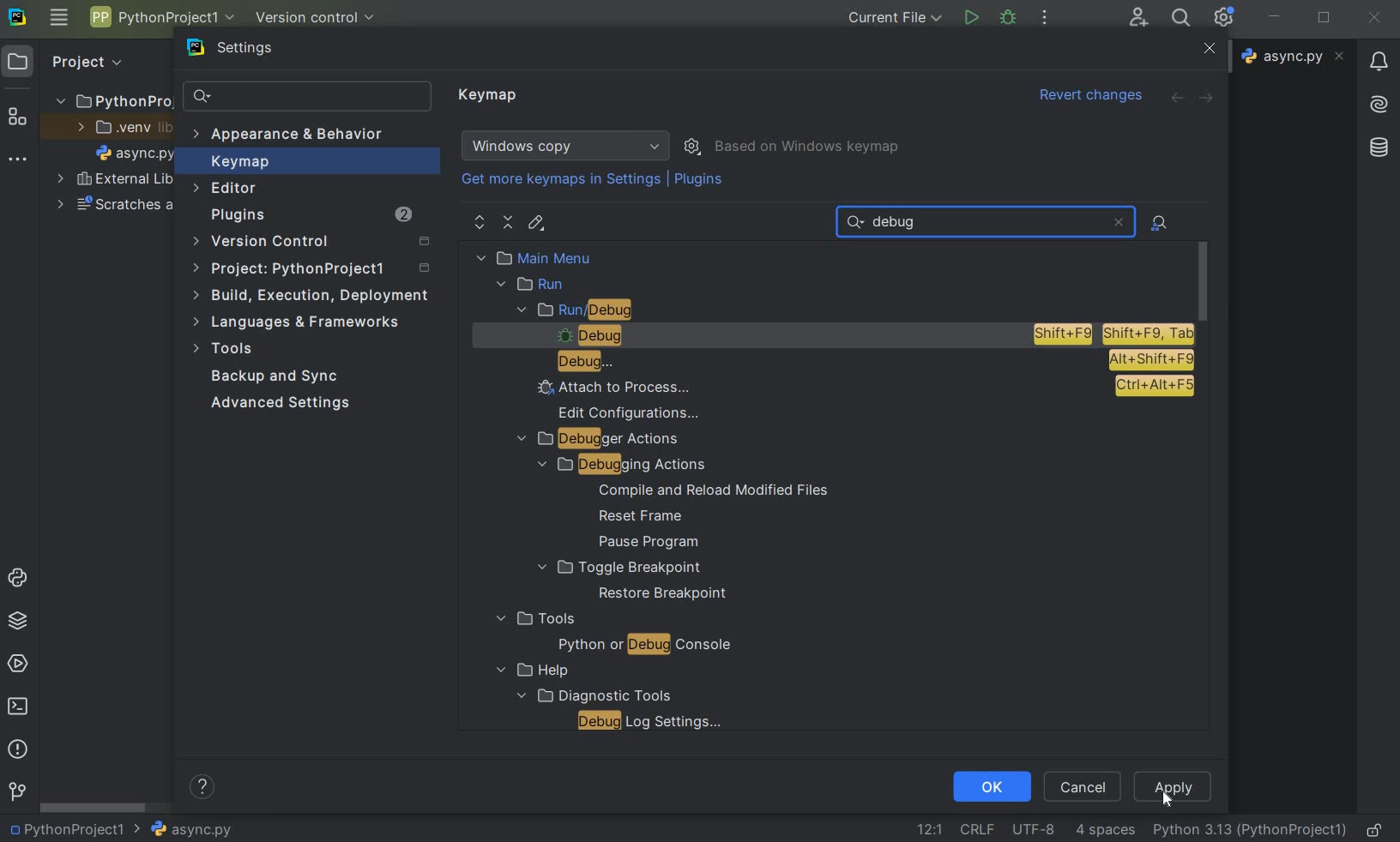  I want to click on attachment, so click(861, 388).